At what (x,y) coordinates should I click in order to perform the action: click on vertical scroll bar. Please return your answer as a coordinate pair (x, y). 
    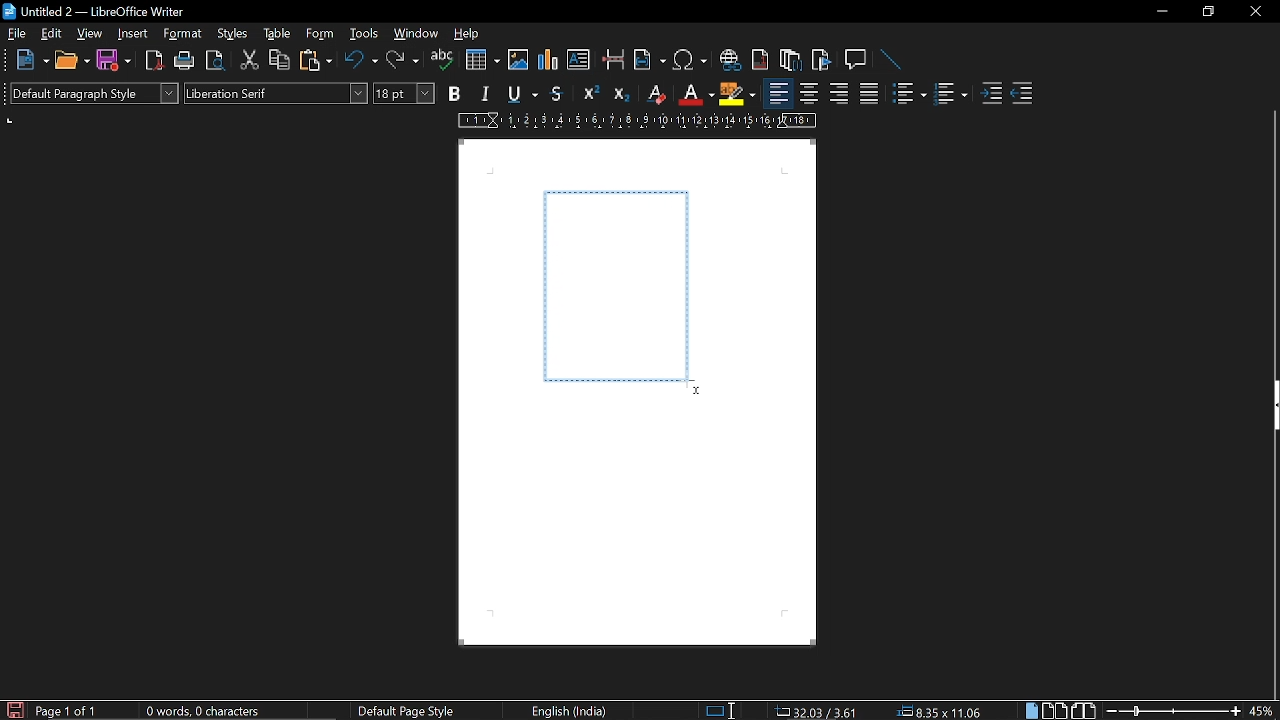
    Looking at the image, I should click on (1272, 242).